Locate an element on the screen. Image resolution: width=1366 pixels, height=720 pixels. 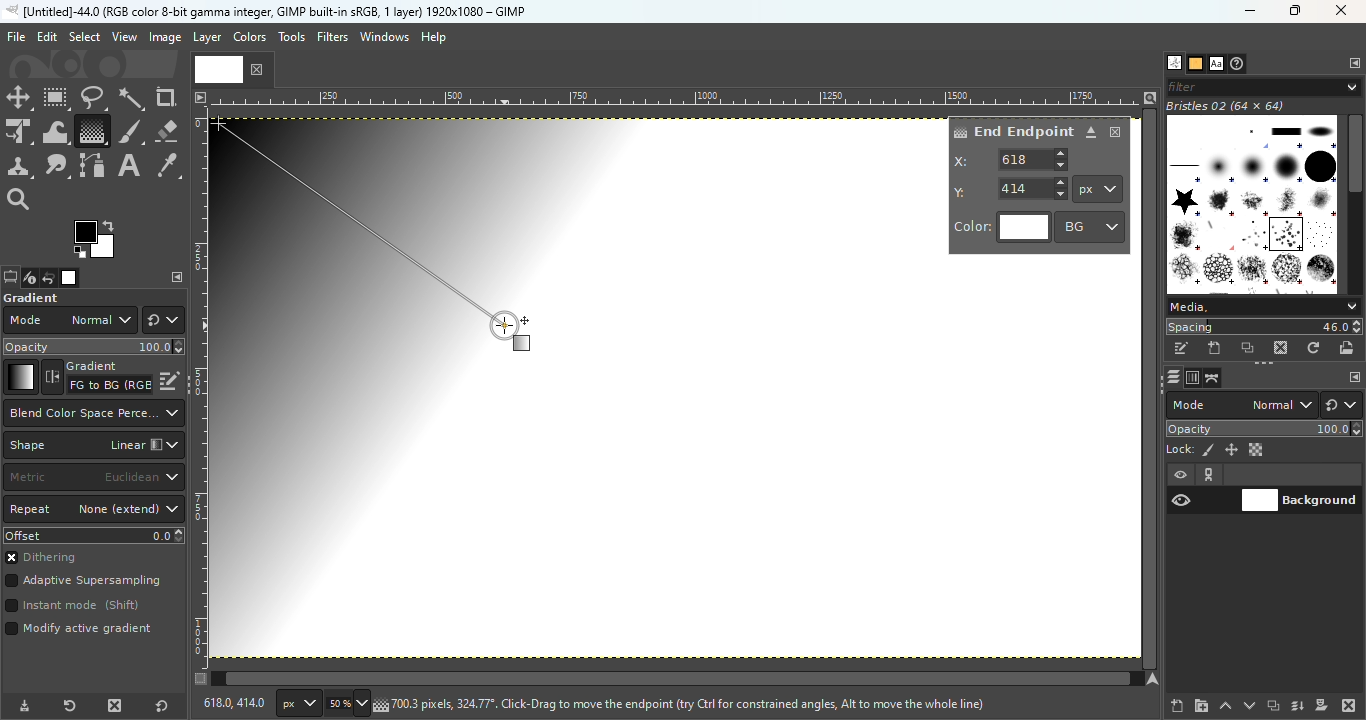
Ruler measurement is located at coordinates (1098, 189).